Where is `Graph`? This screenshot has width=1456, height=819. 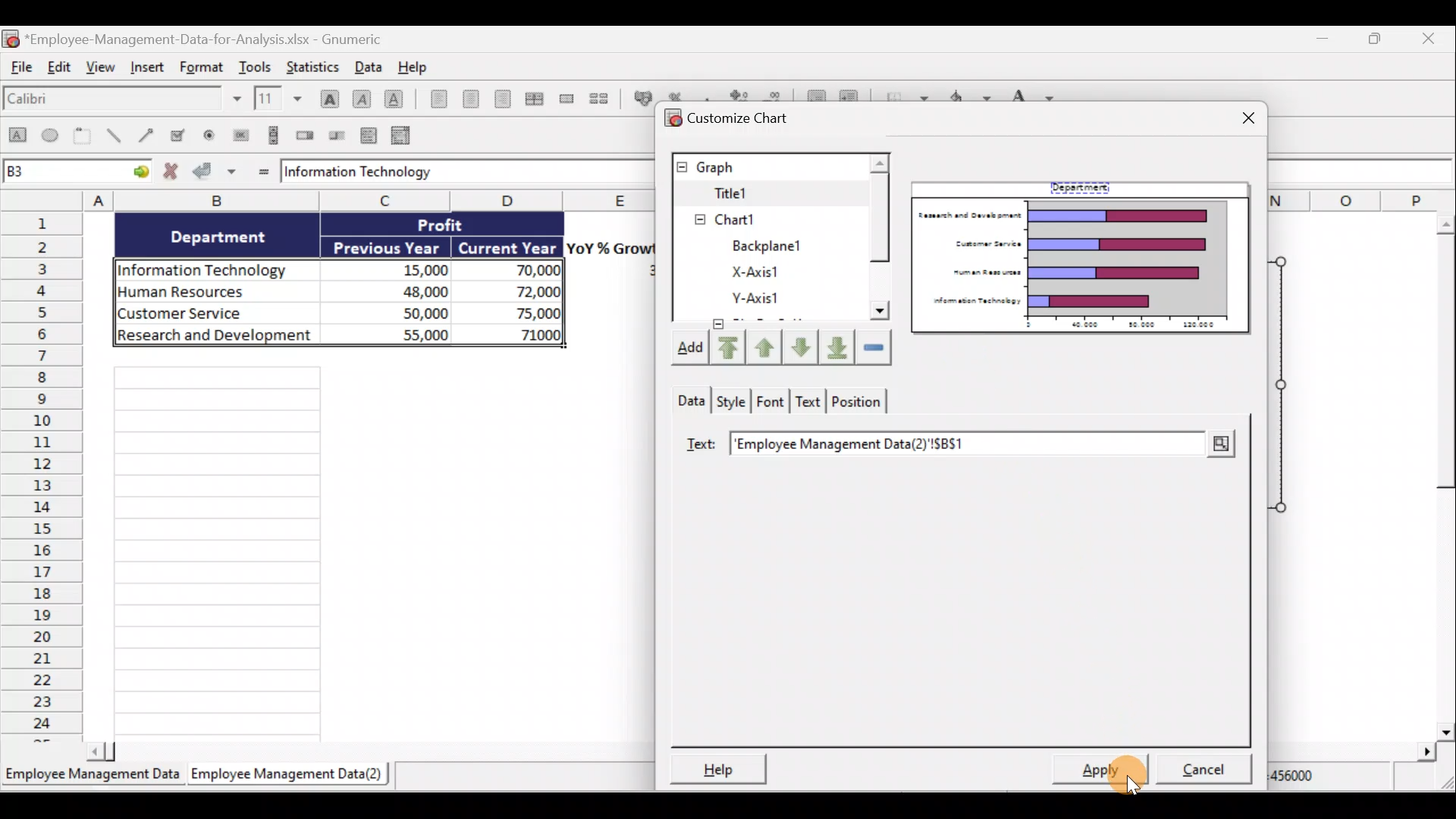
Graph is located at coordinates (767, 166).